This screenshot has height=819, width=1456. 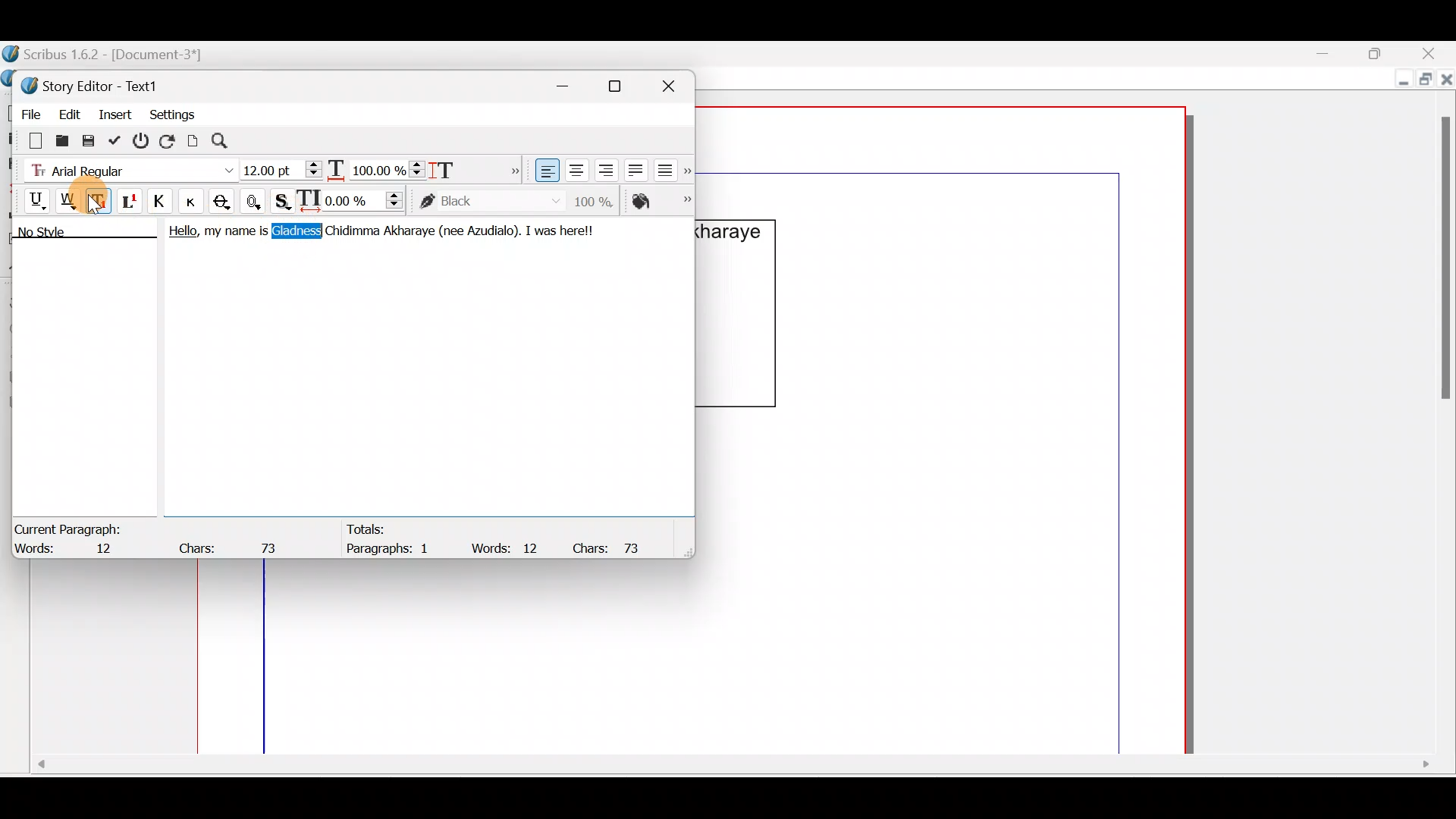 I want to click on Words: 12, so click(x=508, y=548).